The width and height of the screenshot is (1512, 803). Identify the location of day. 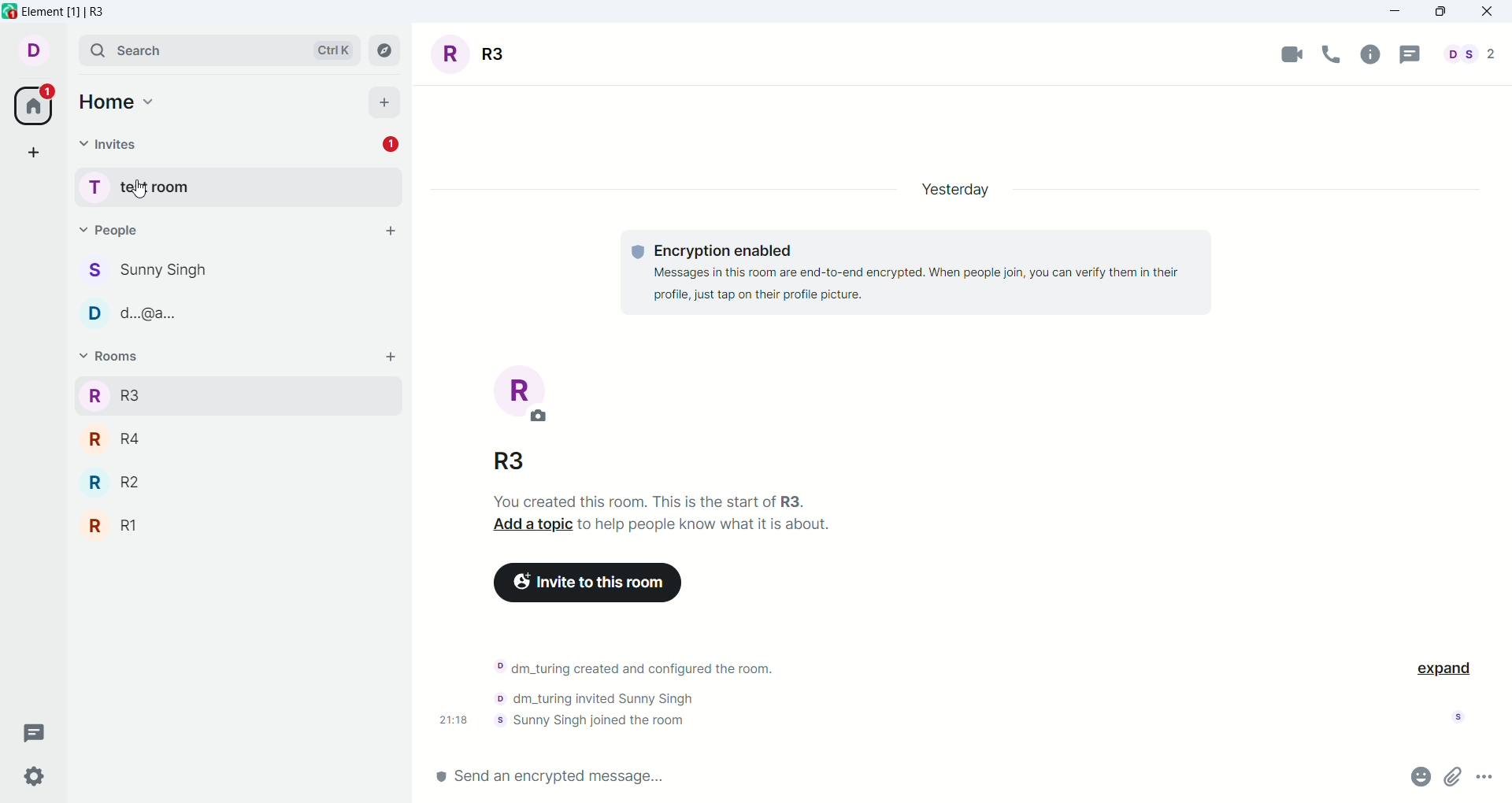
(962, 191).